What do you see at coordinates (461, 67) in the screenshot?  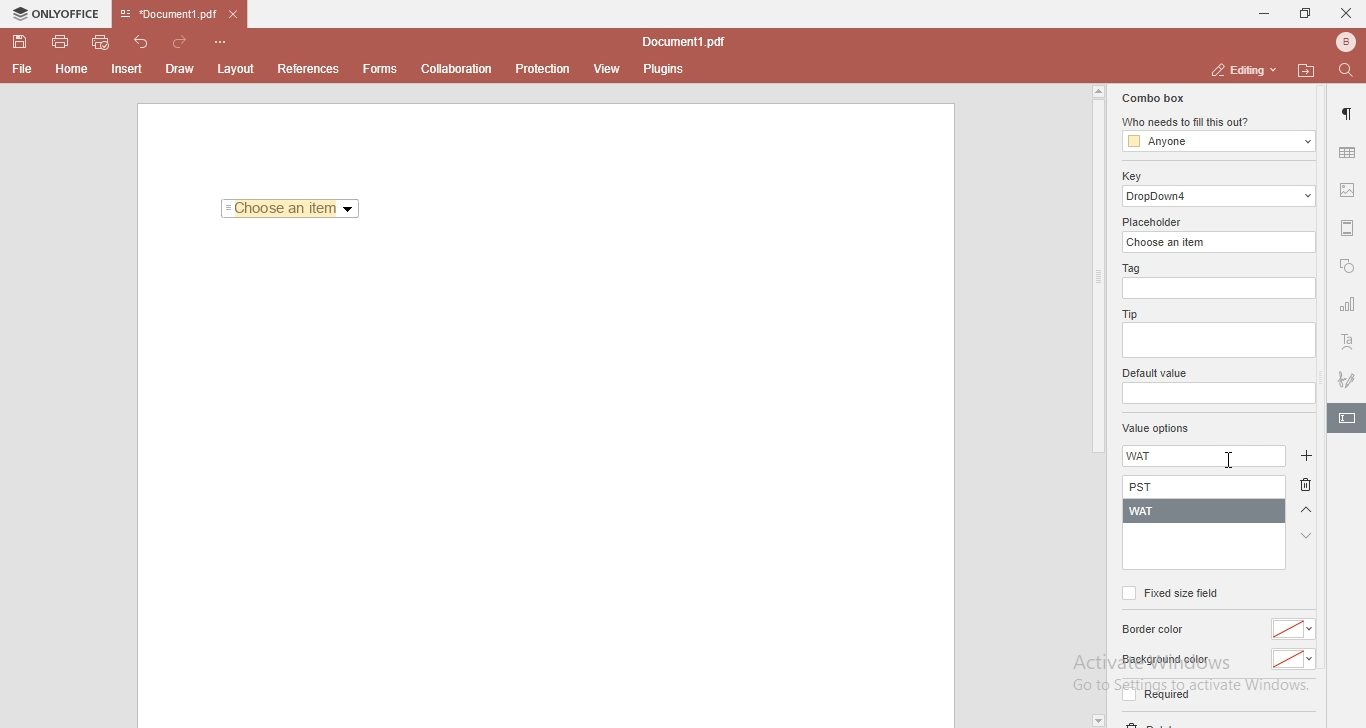 I see `collaboration` at bounding box center [461, 67].